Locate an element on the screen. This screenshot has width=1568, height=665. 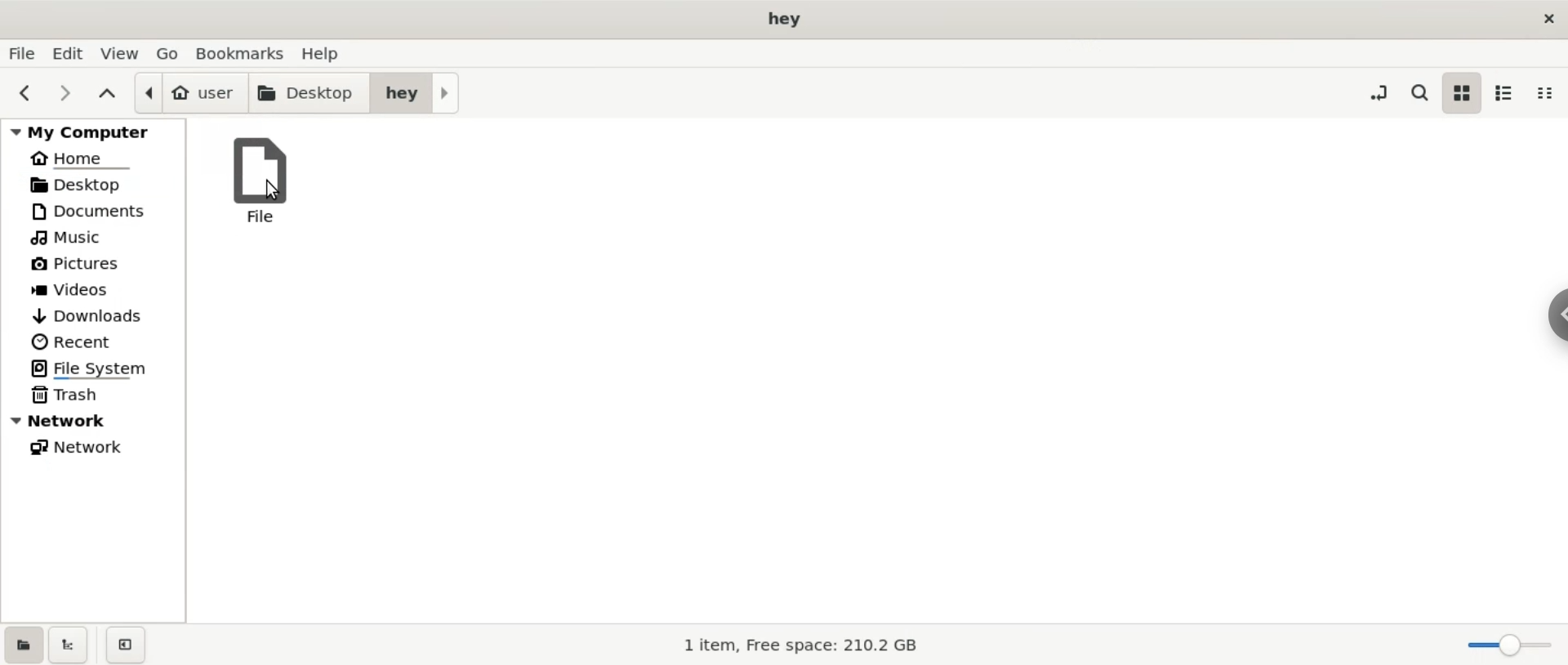
recent is located at coordinates (100, 340).